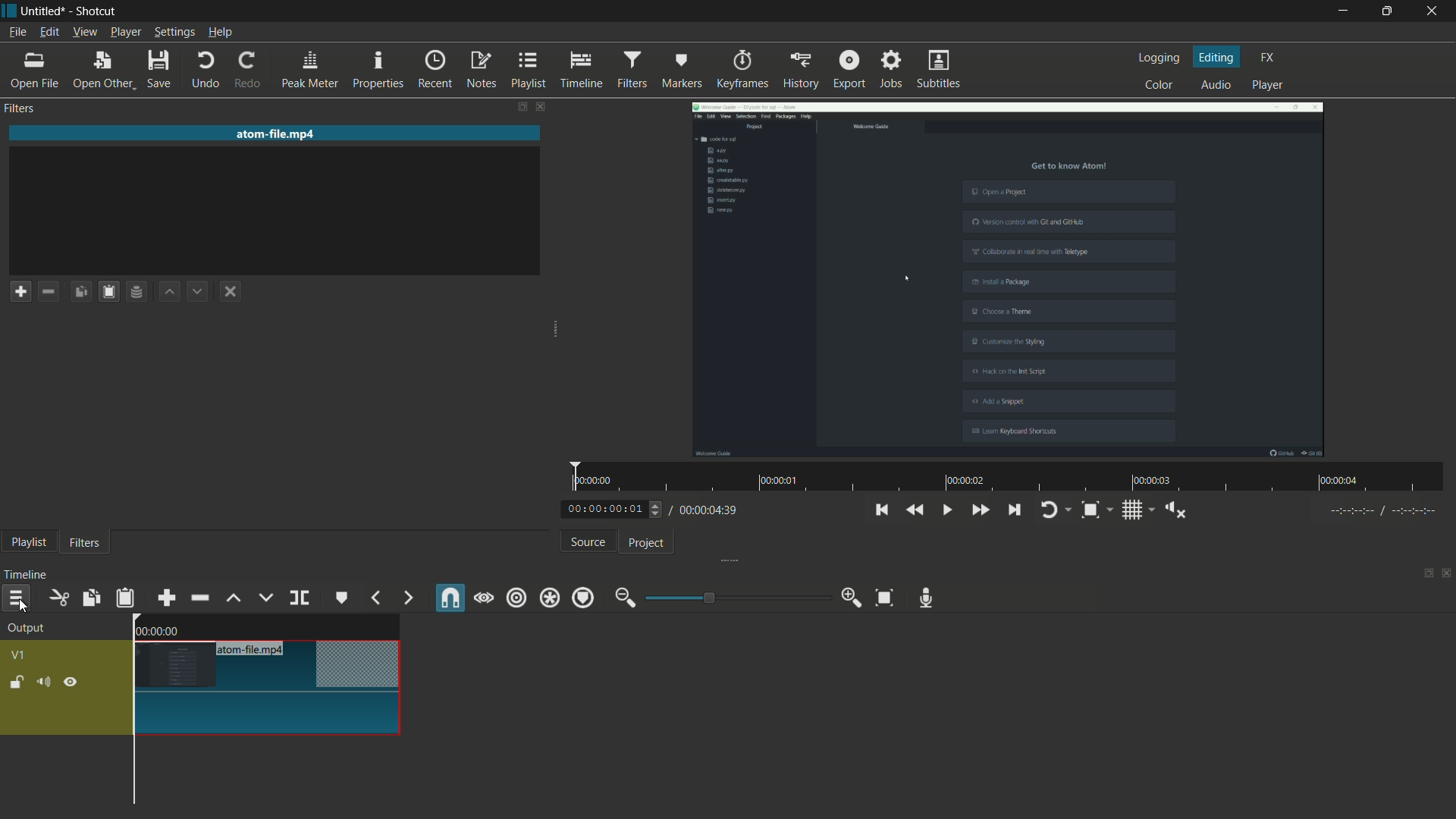  Describe the element at coordinates (529, 70) in the screenshot. I see `playlist` at that location.